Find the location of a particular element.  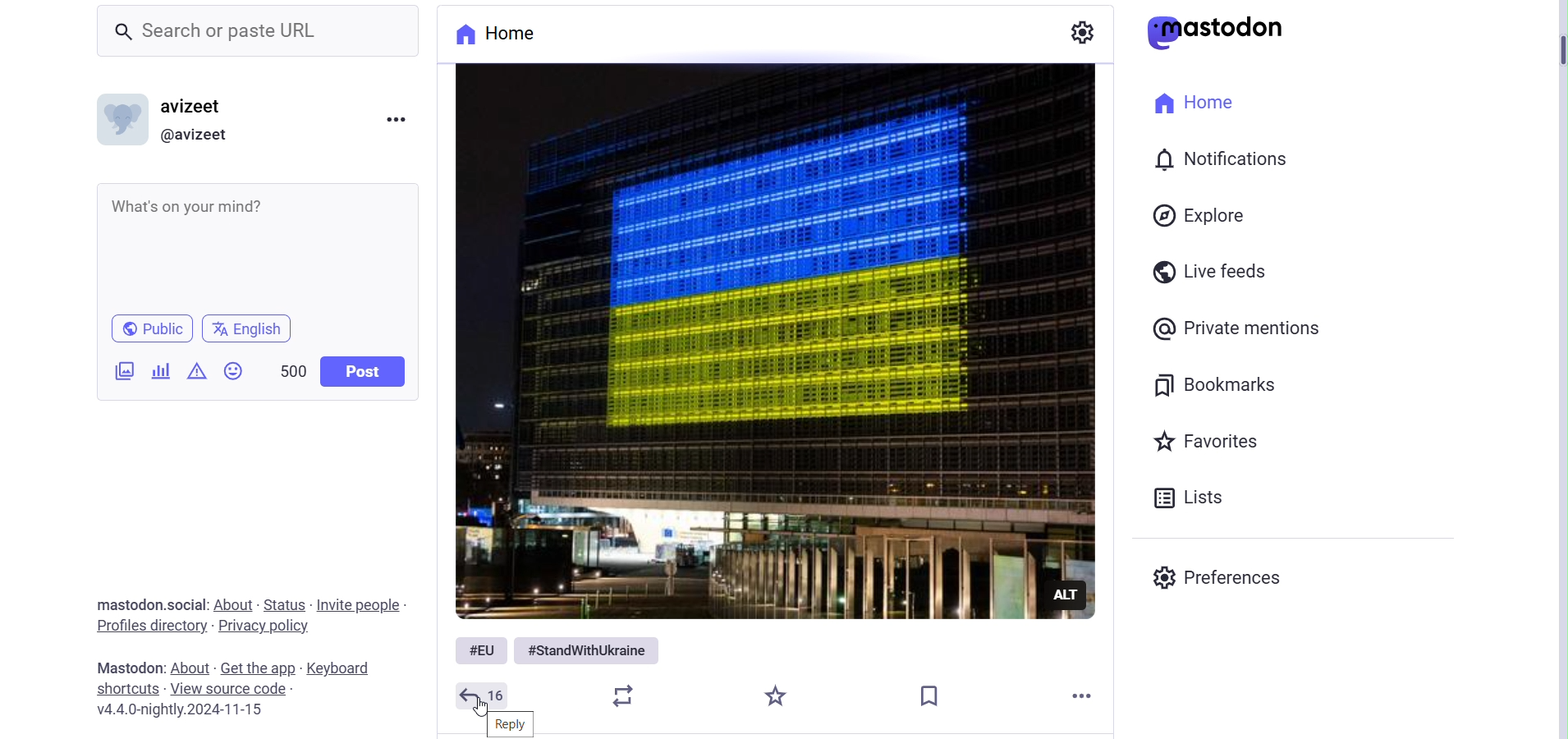

Keyboard is located at coordinates (343, 668).